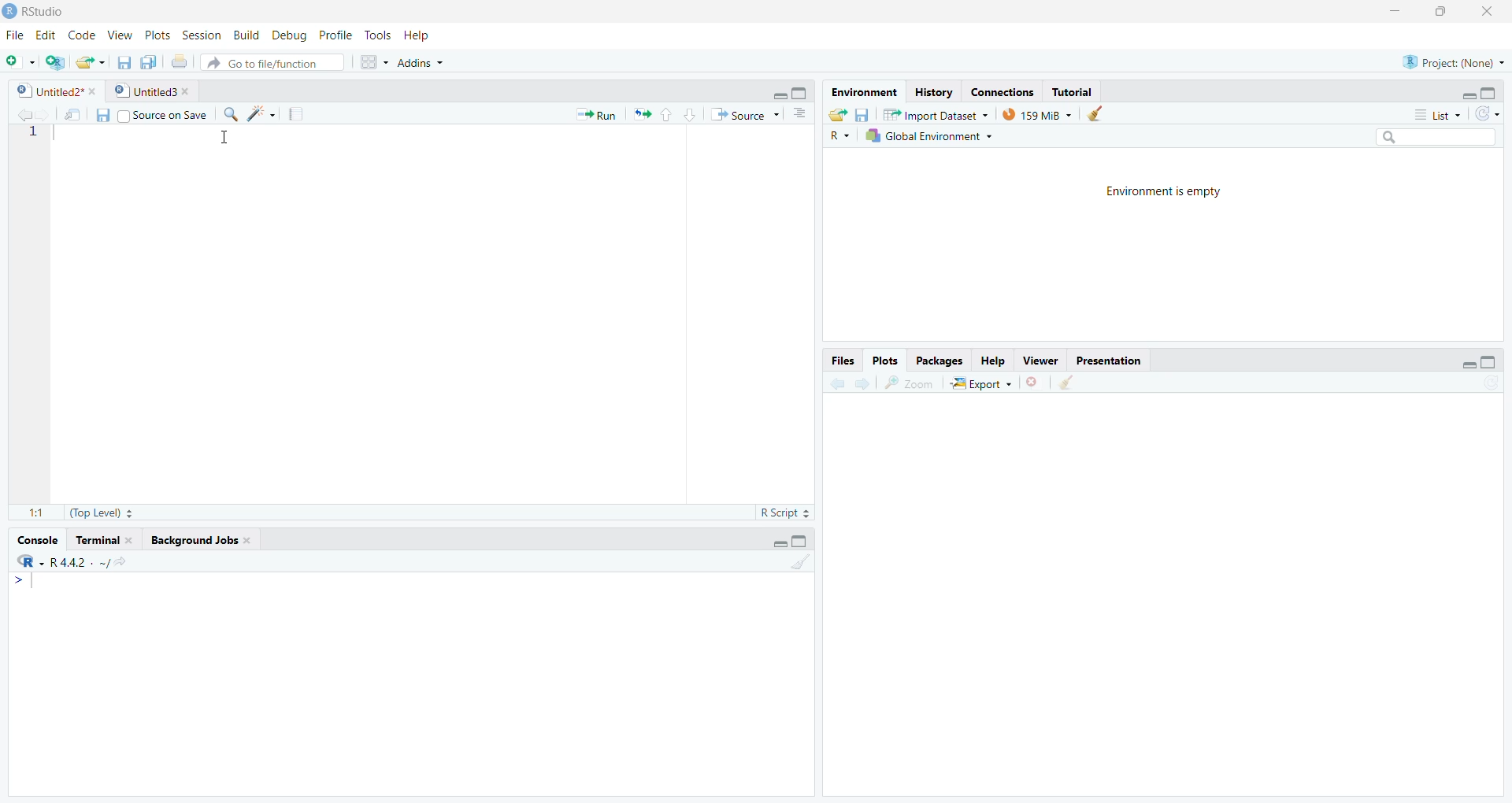 This screenshot has height=803, width=1512. I want to click on Plots, so click(884, 361).